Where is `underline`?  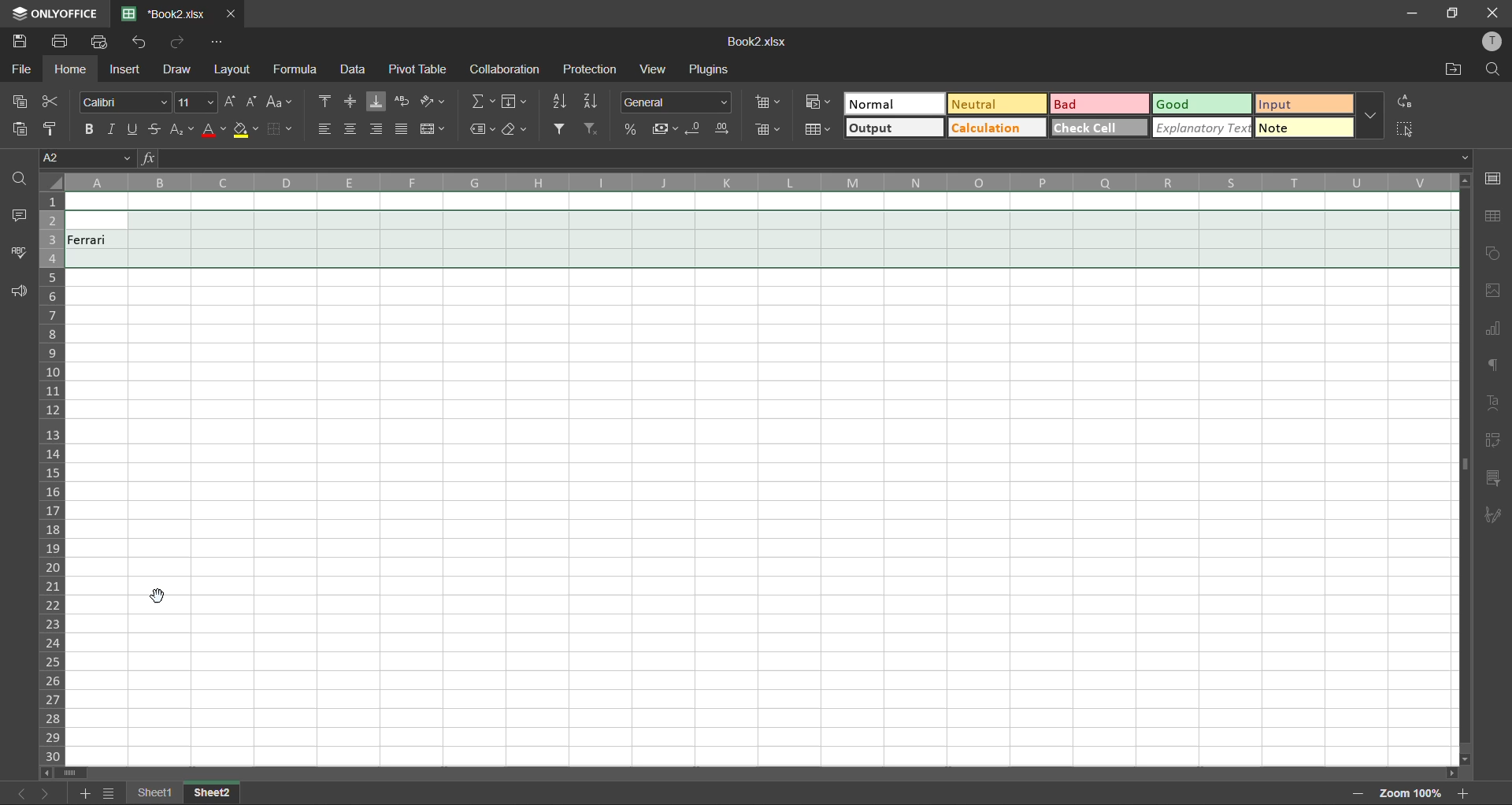
underline is located at coordinates (135, 127).